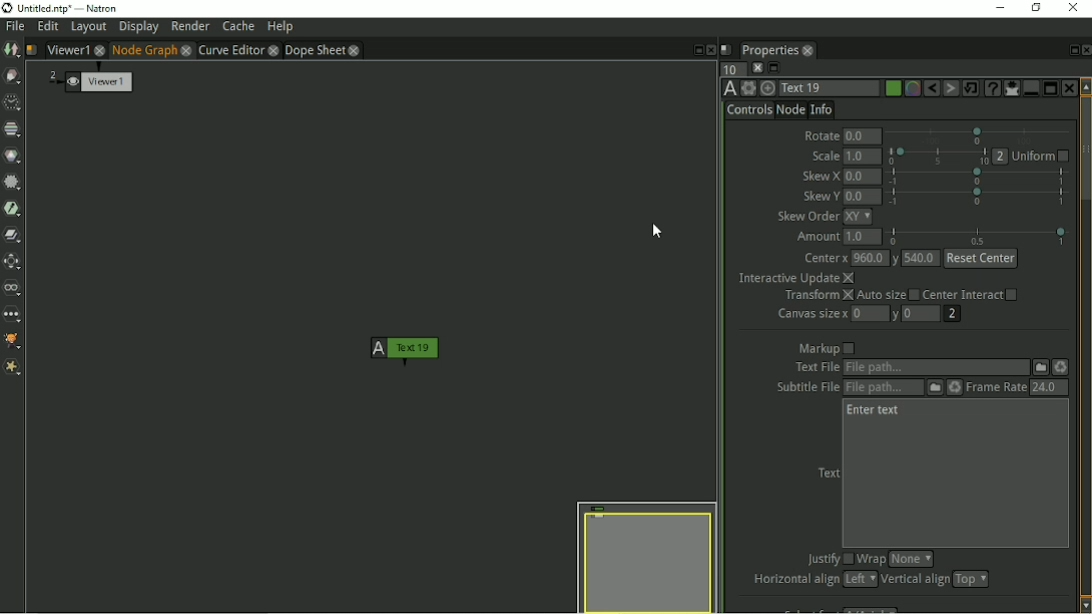 Image resolution: width=1092 pixels, height=614 pixels. Describe the element at coordinates (13, 315) in the screenshot. I see `Other` at that location.